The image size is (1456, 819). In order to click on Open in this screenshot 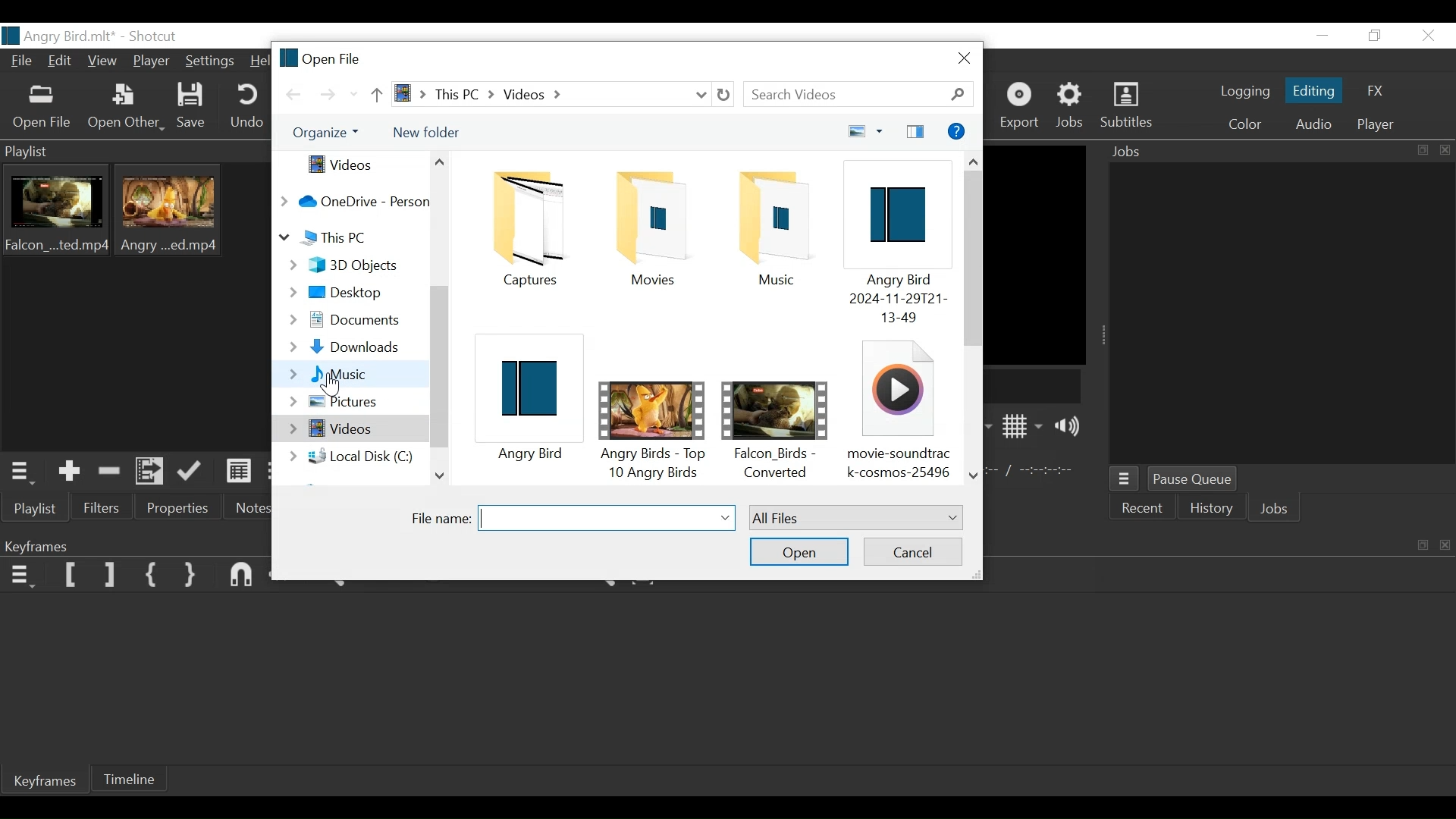, I will do `click(799, 551)`.